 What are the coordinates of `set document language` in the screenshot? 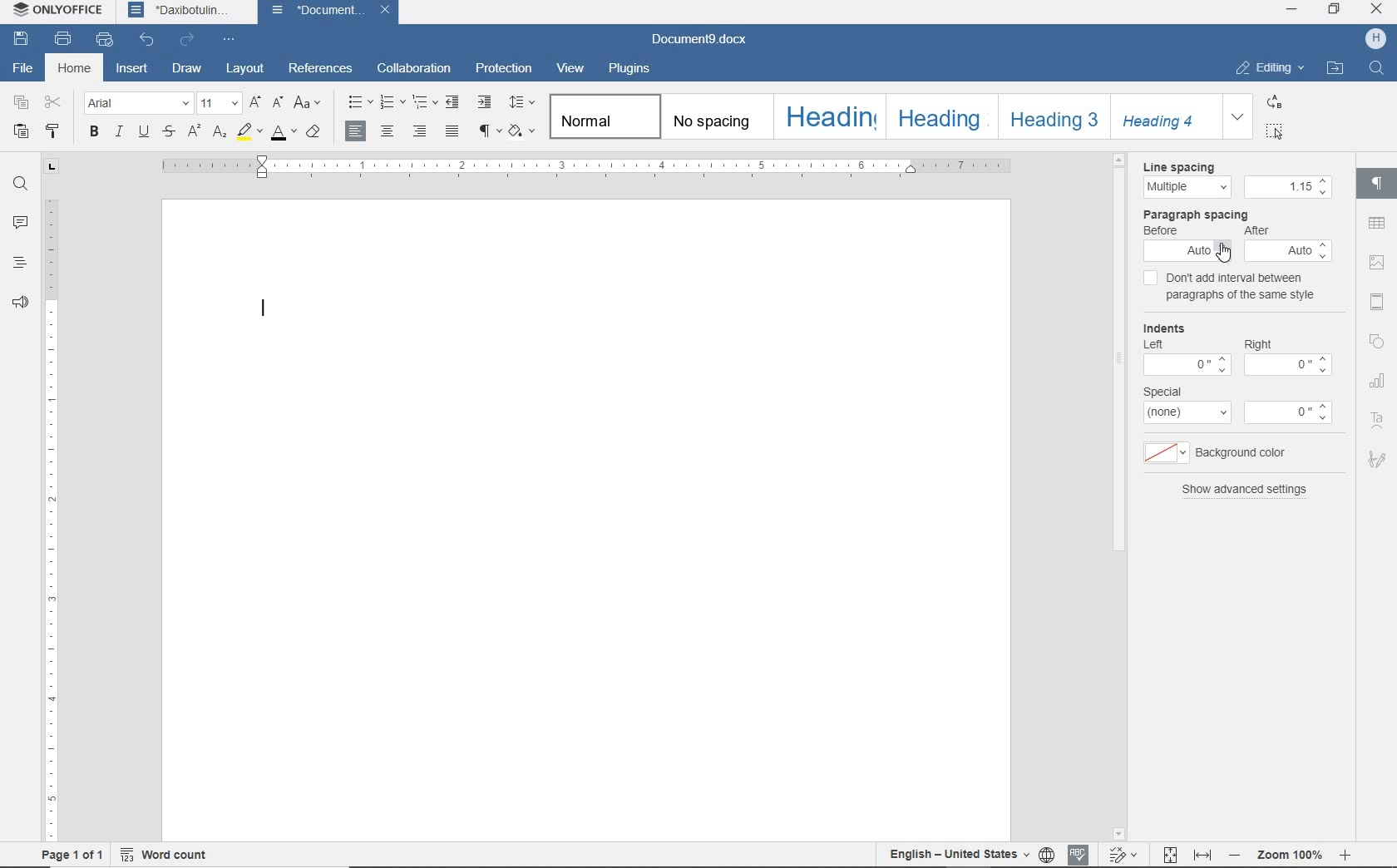 It's located at (1047, 856).